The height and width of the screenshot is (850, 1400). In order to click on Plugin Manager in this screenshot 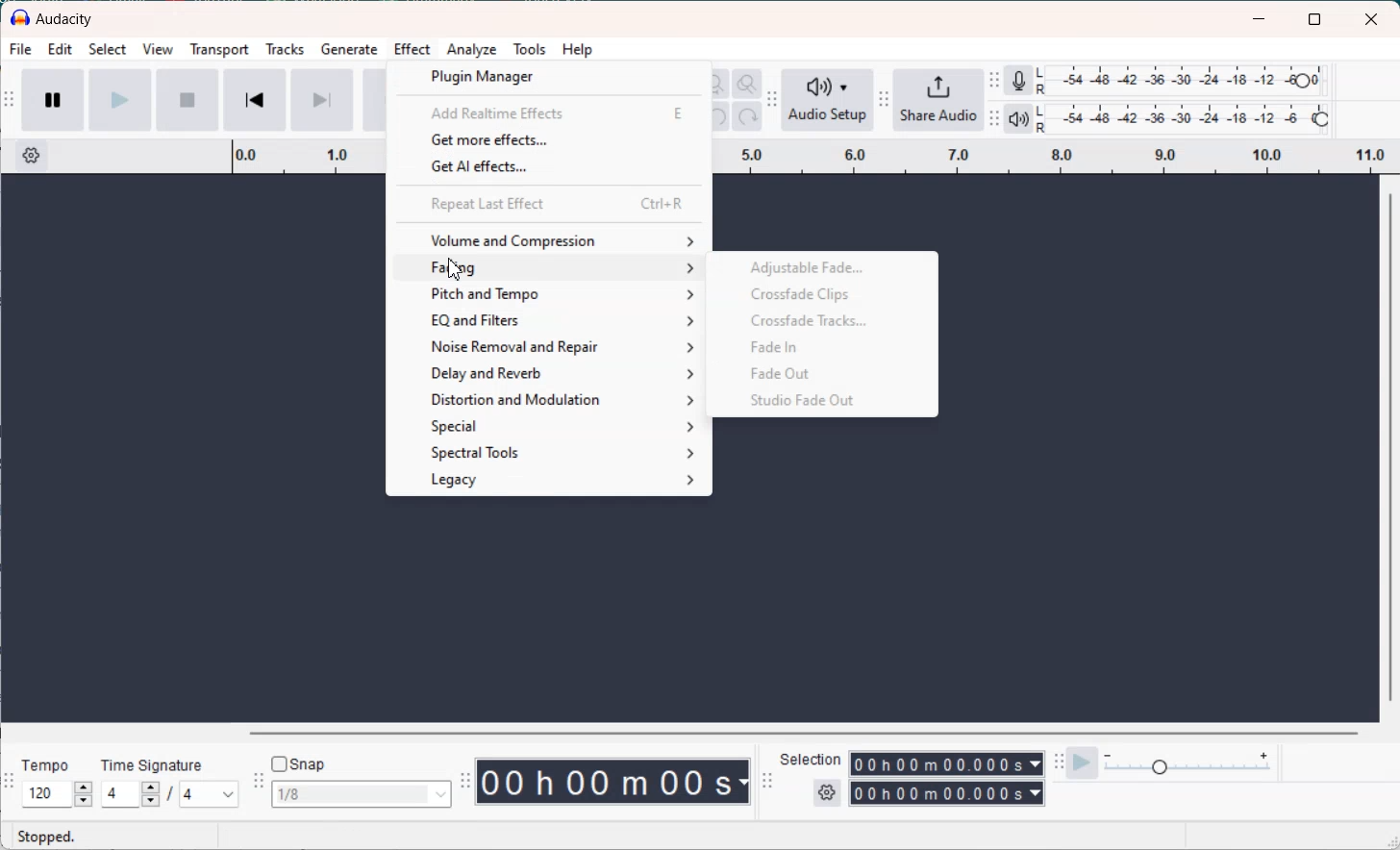, I will do `click(549, 77)`.